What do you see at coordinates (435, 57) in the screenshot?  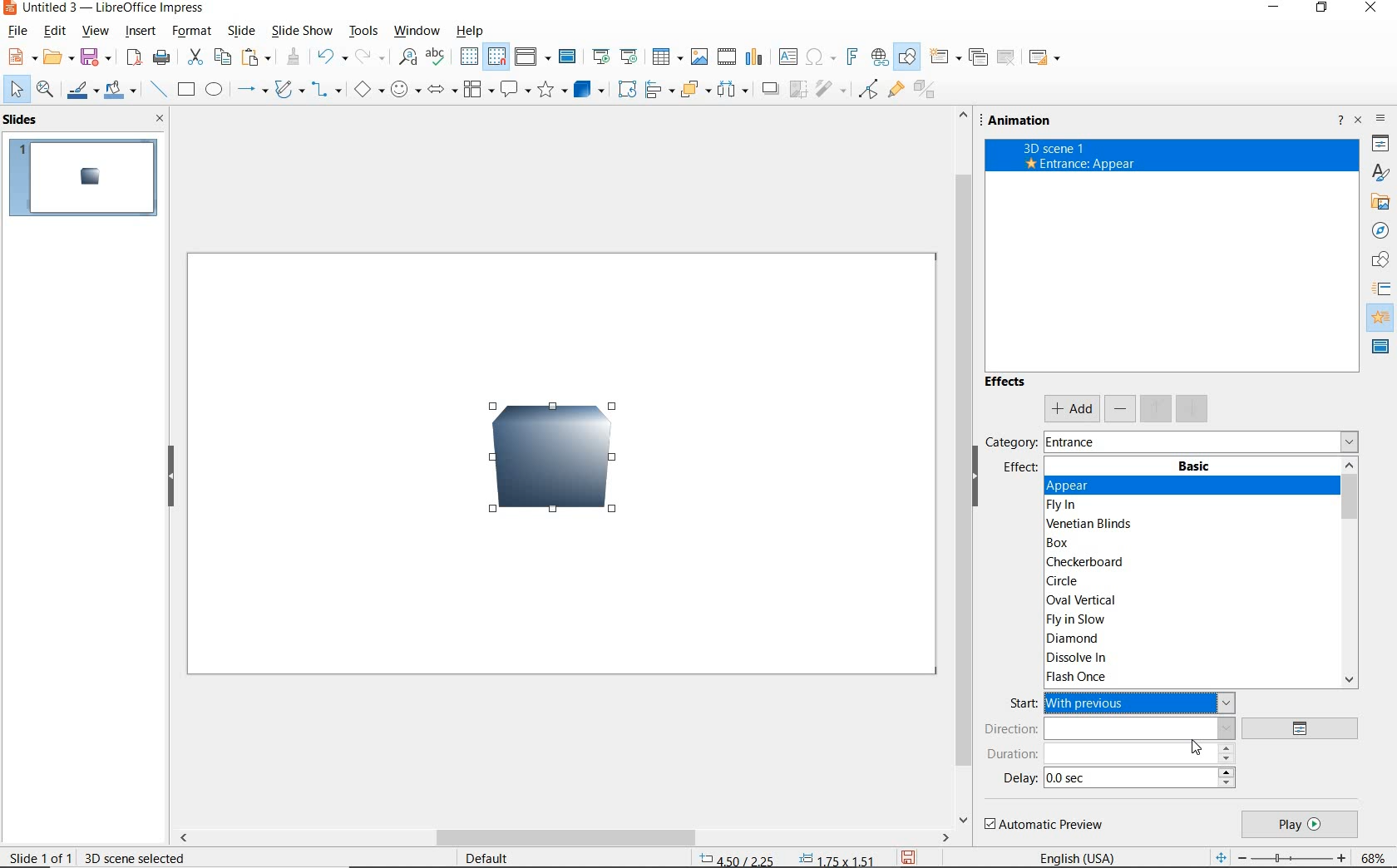 I see `spelling` at bounding box center [435, 57].